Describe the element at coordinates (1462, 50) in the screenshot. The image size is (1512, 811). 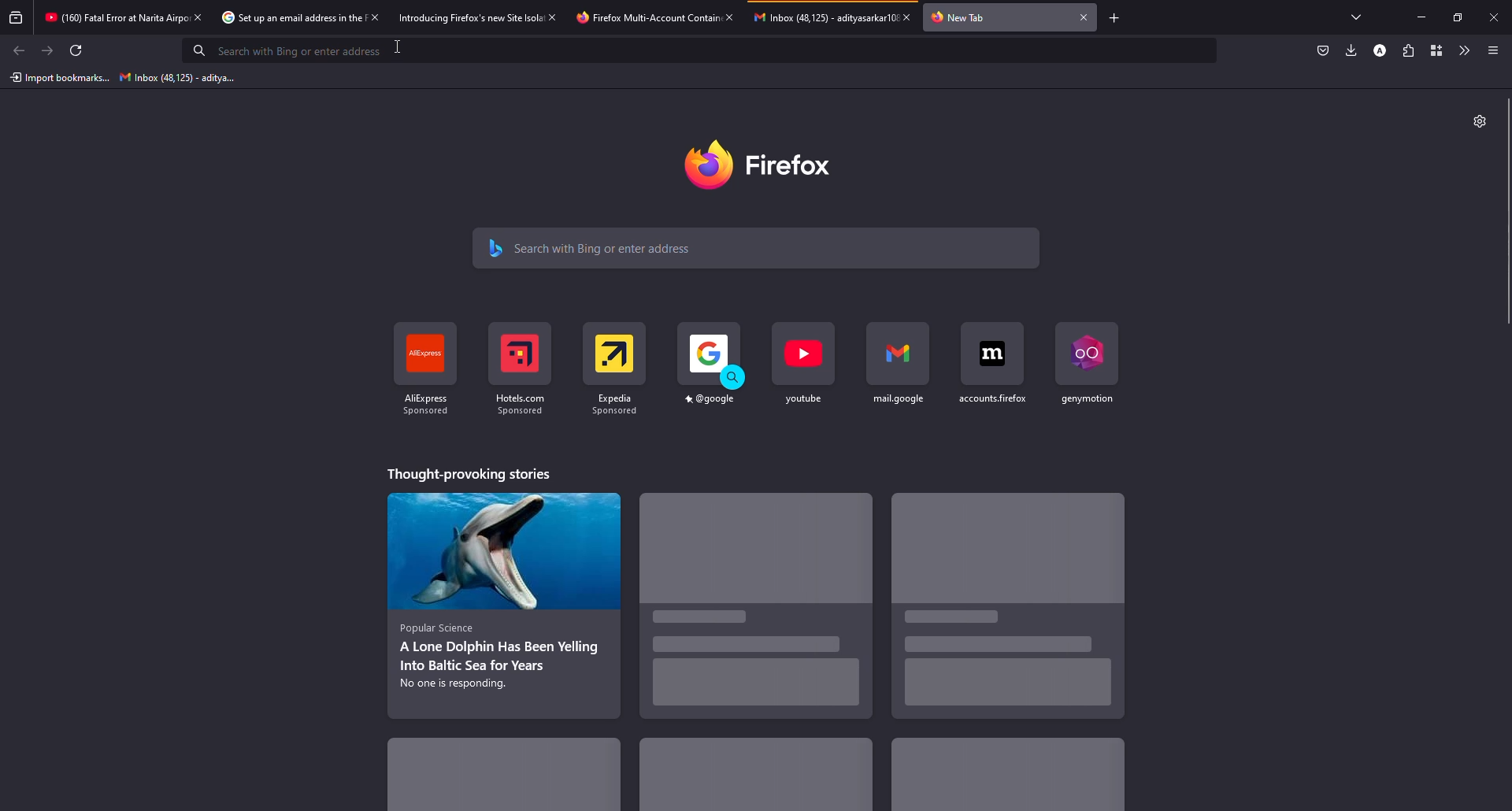
I see `more tools` at that location.